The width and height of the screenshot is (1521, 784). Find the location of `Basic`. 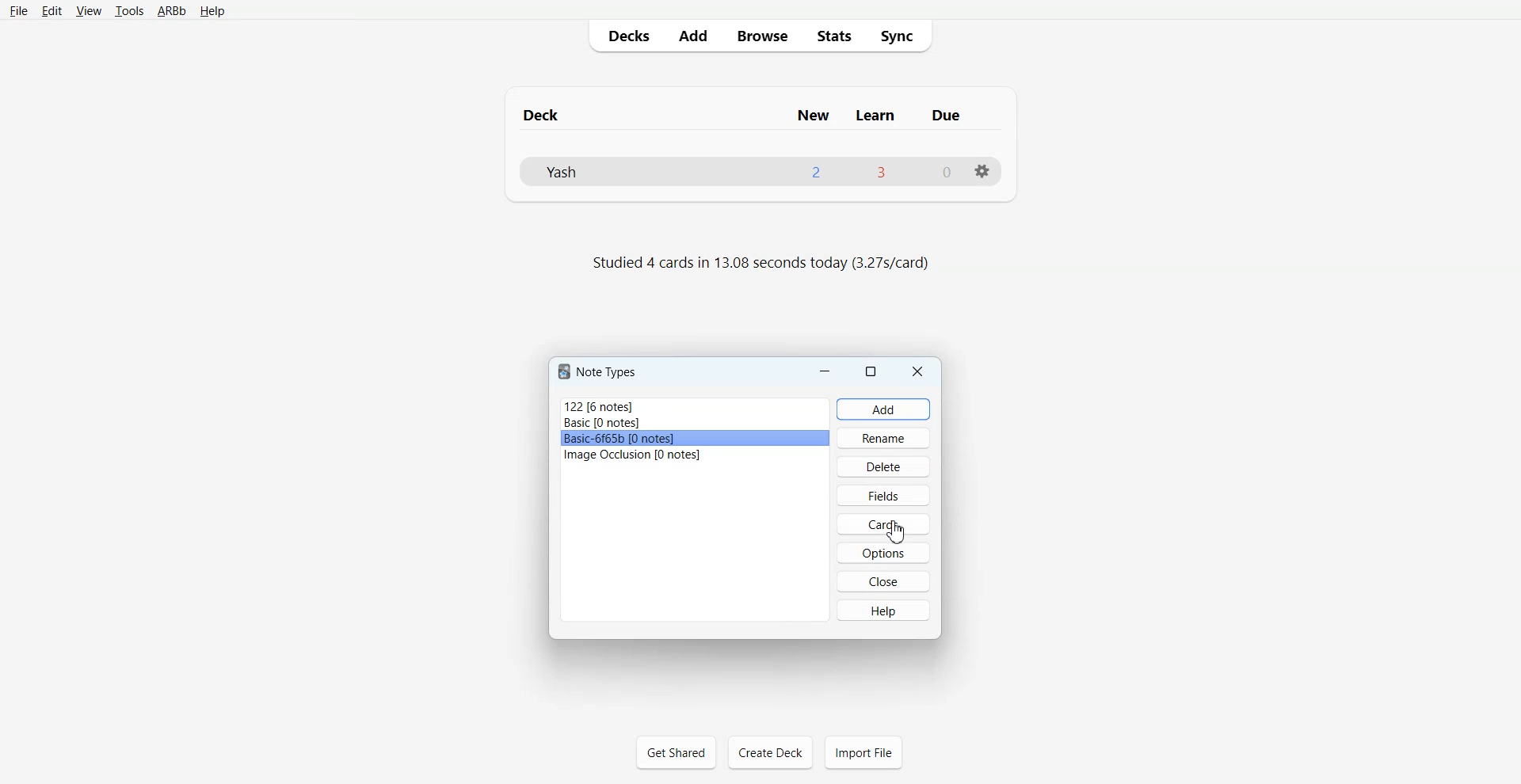

Basic is located at coordinates (695, 440).